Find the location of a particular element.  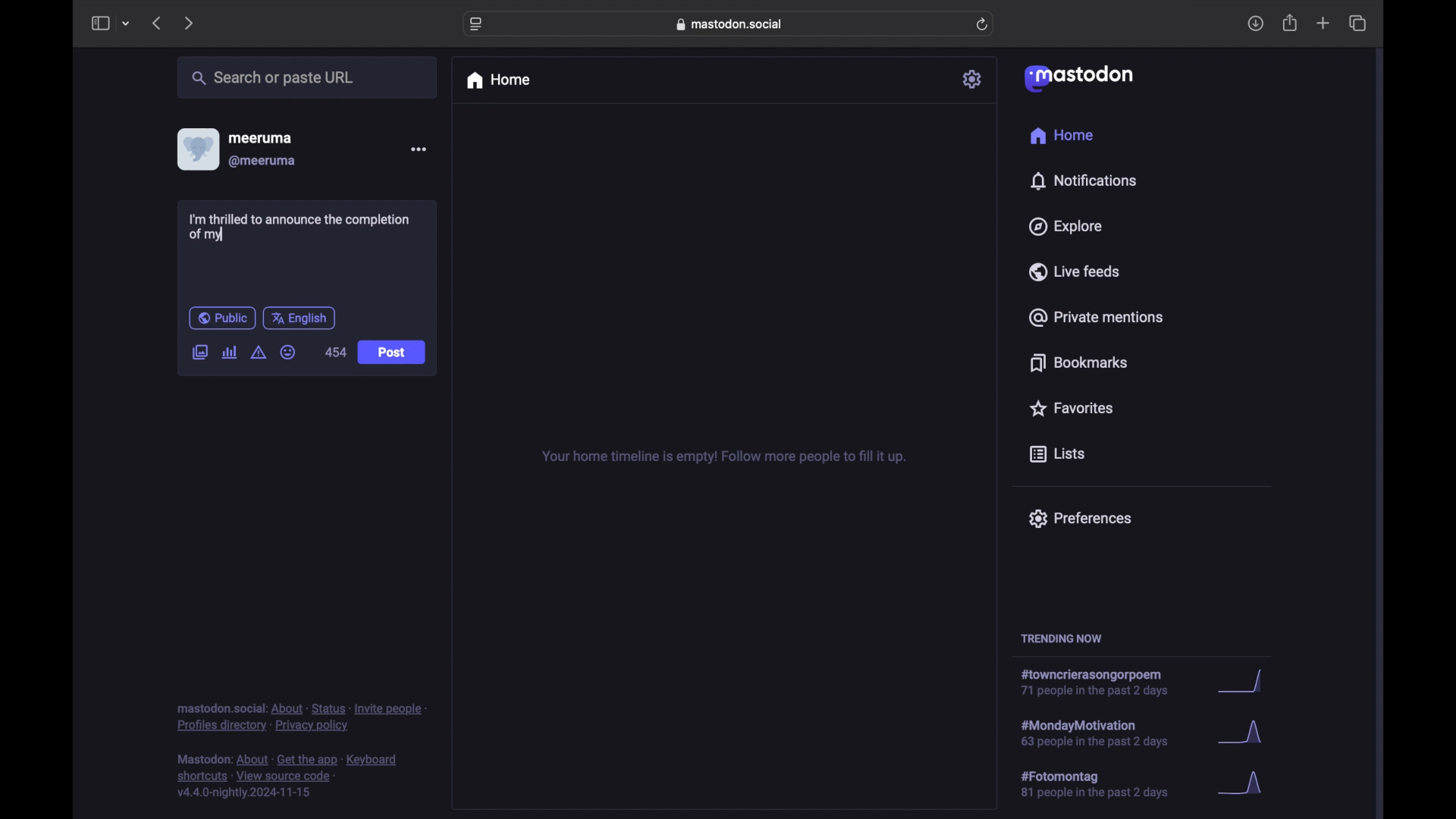

hashtag trend is located at coordinates (1105, 783).